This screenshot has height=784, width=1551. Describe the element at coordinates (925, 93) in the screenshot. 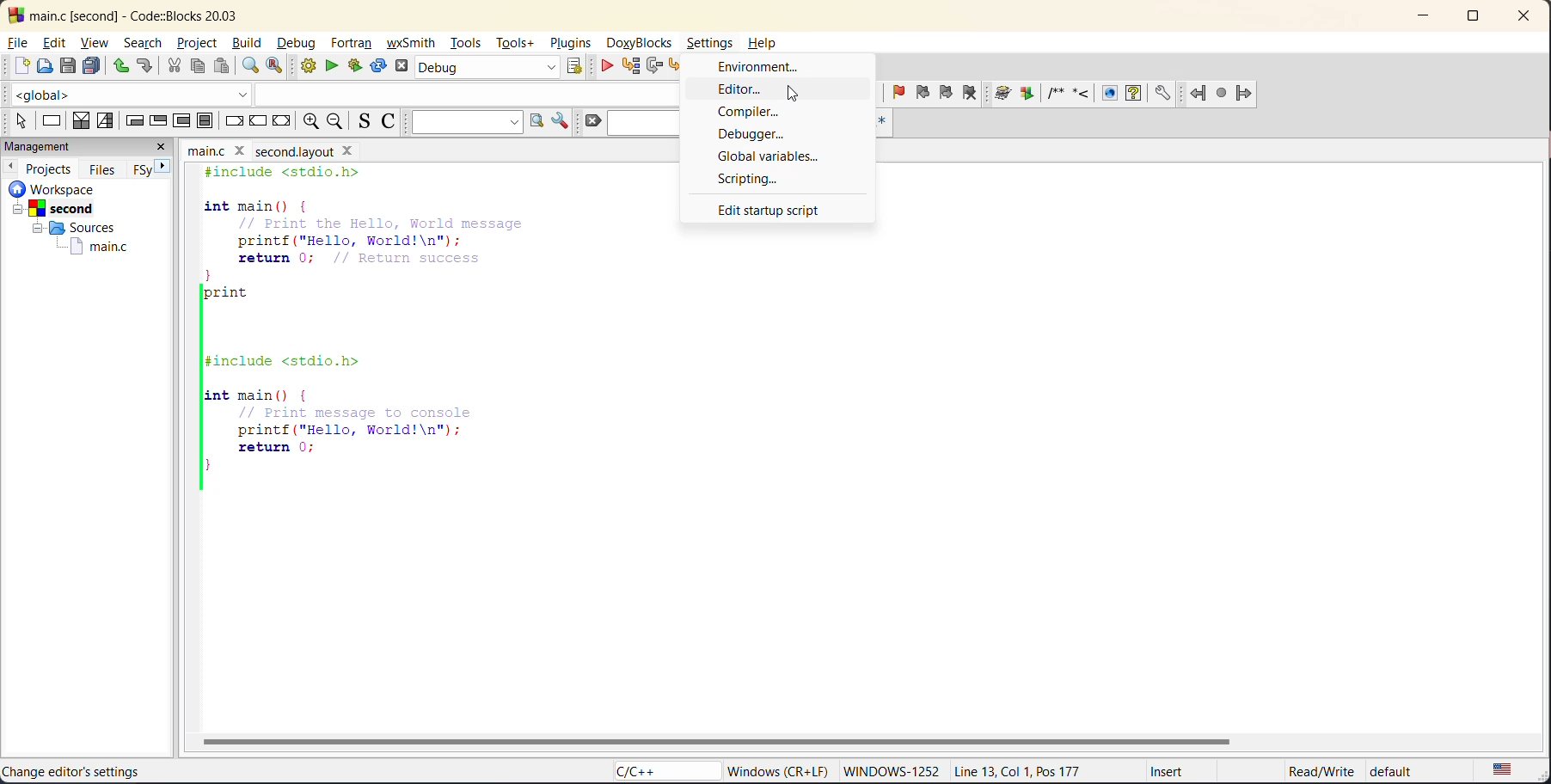

I see `previous bookmark` at that location.